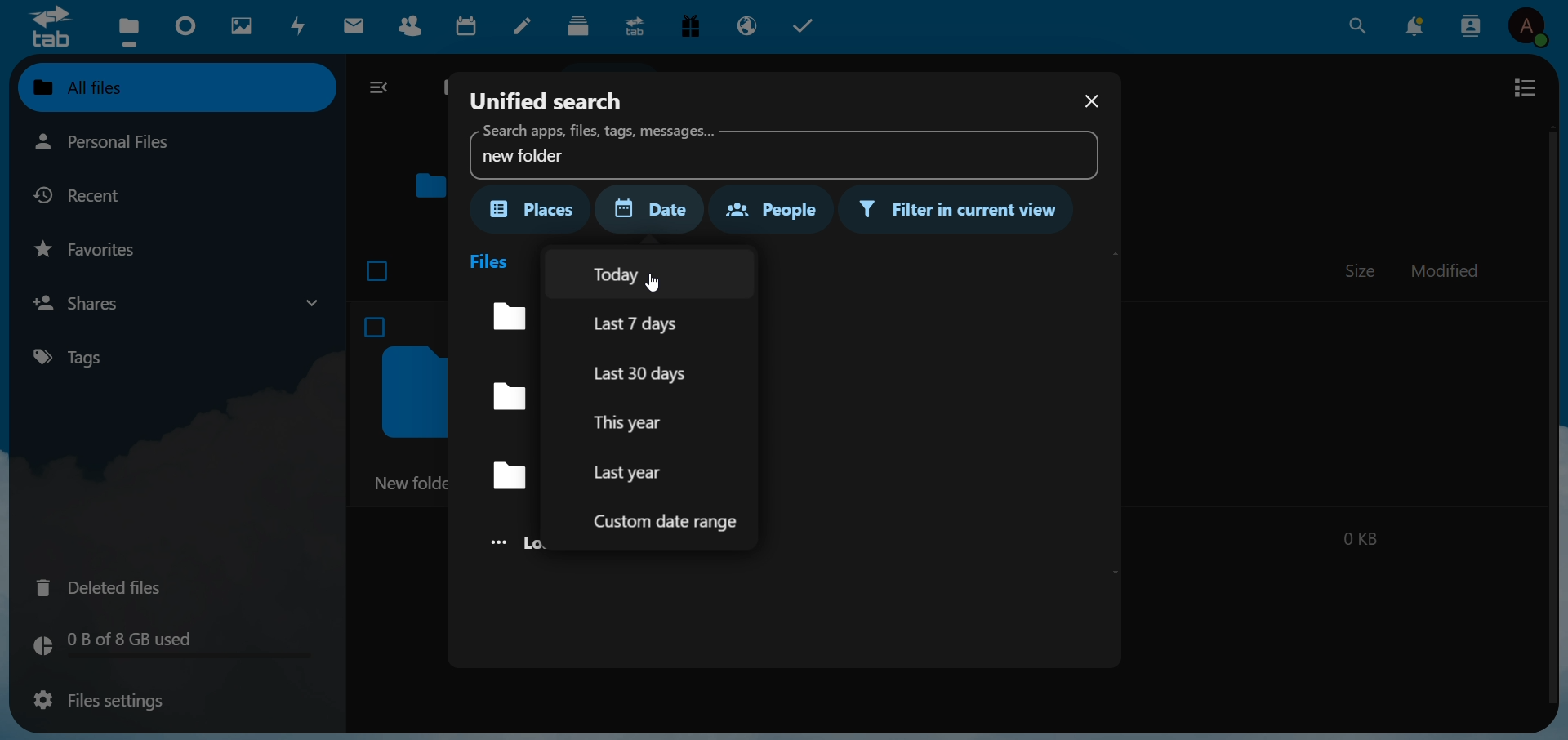 The height and width of the screenshot is (740, 1568). I want to click on scroll bar, so click(1550, 413).